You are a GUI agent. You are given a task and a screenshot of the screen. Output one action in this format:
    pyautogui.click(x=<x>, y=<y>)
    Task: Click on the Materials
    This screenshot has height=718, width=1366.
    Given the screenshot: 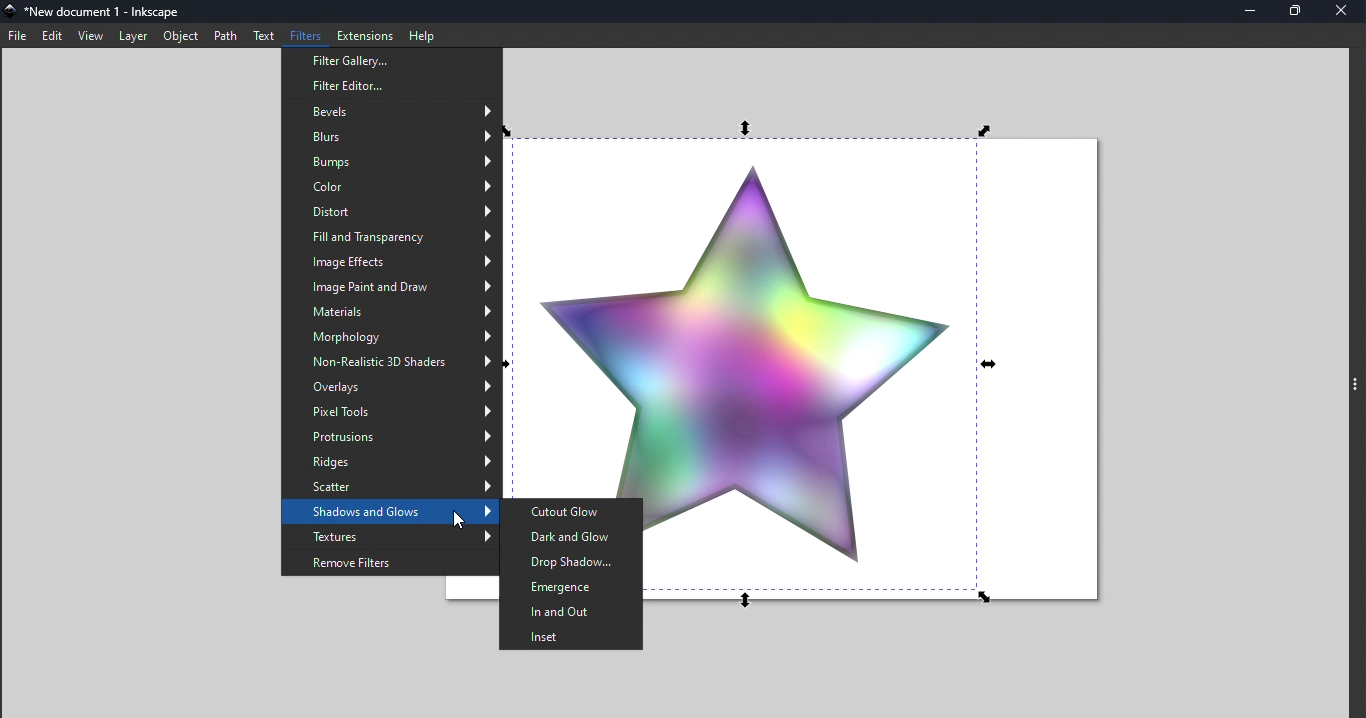 What is the action you would take?
    pyautogui.click(x=390, y=311)
    